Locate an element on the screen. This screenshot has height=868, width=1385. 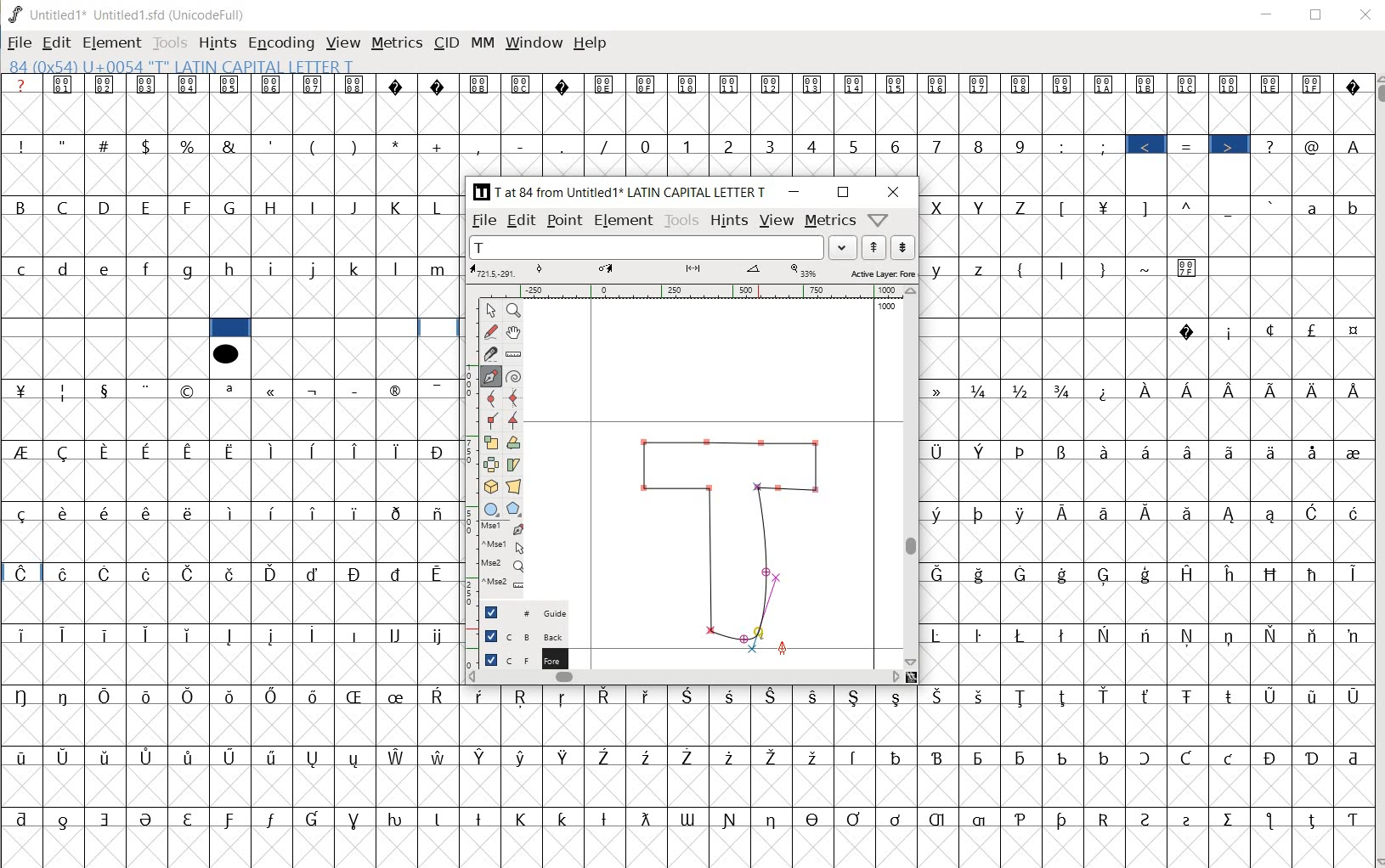
? is located at coordinates (1272, 145).